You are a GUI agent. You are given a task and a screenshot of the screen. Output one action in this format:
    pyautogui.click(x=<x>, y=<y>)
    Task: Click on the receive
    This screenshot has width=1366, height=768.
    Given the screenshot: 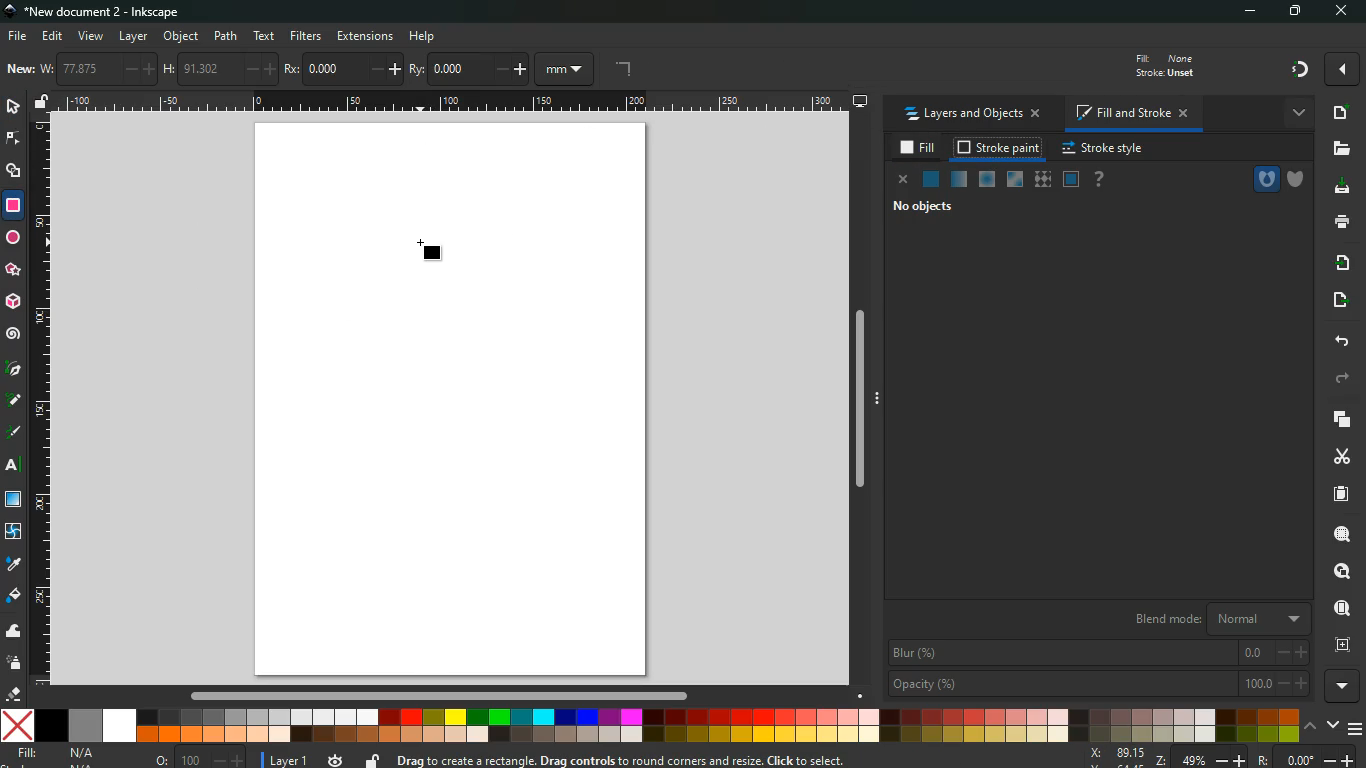 What is the action you would take?
    pyautogui.click(x=1345, y=264)
    